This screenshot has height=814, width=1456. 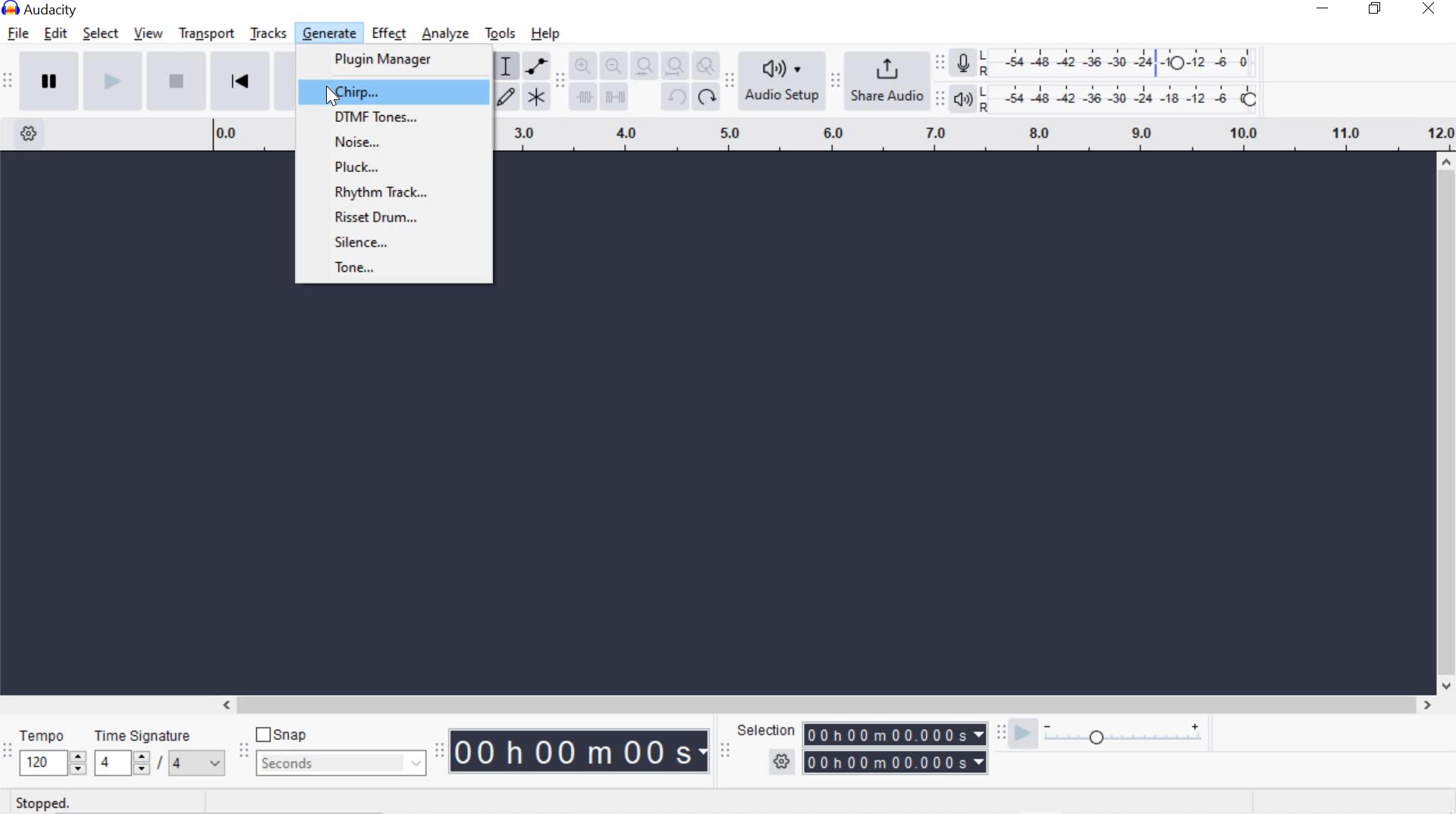 What do you see at coordinates (962, 99) in the screenshot?
I see `Playback meter` at bounding box center [962, 99].